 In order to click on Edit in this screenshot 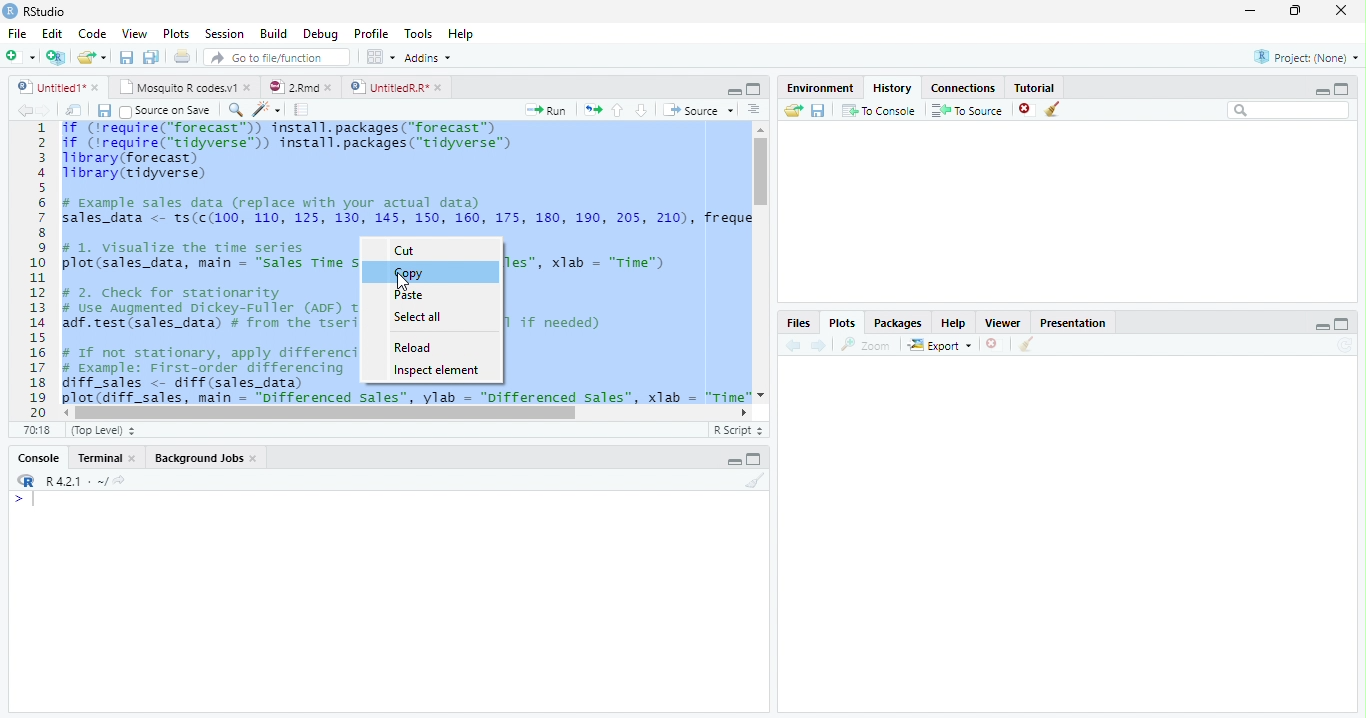, I will do `click(53, 33)`.